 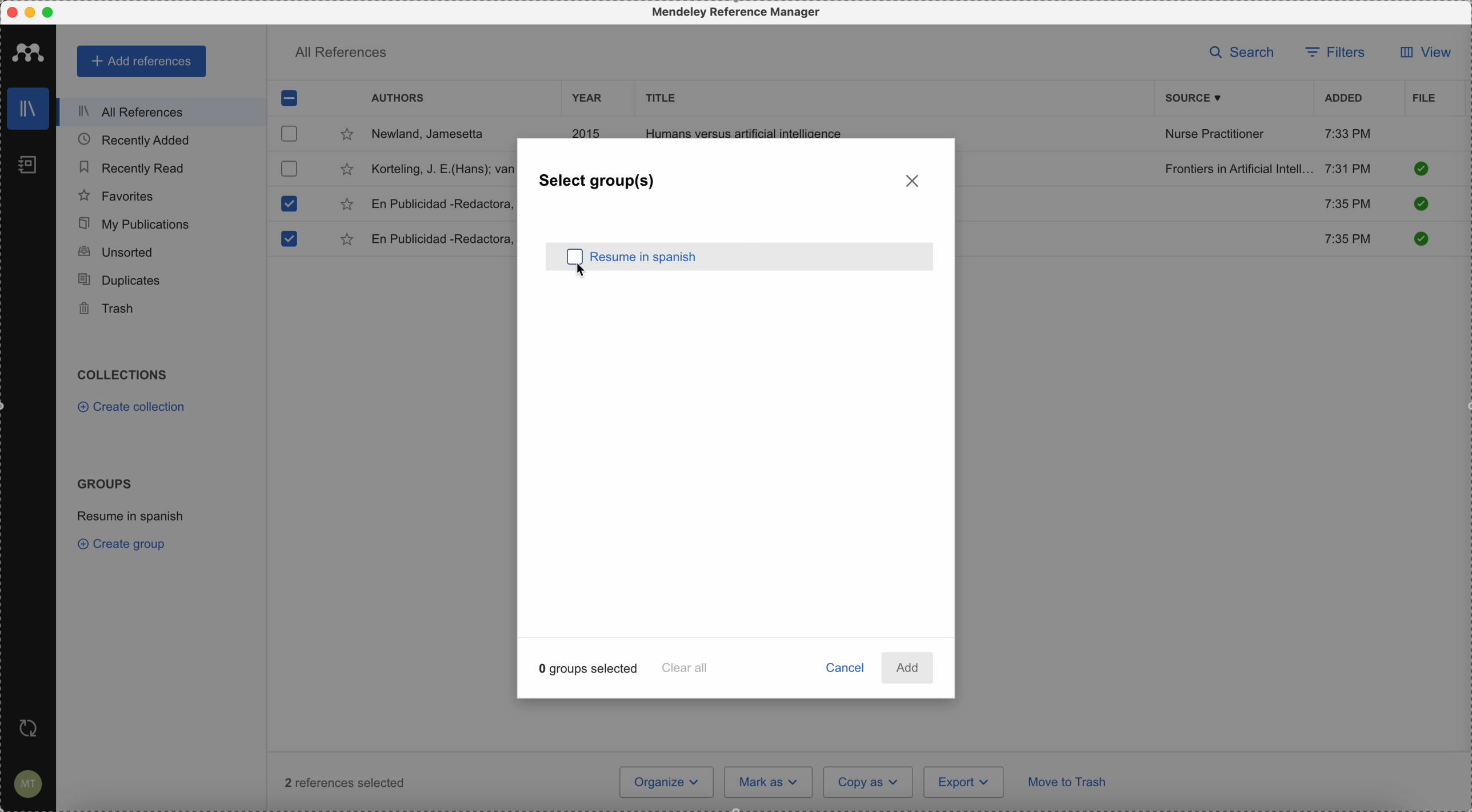 I want to click on collections, so click(x=125, y=375).